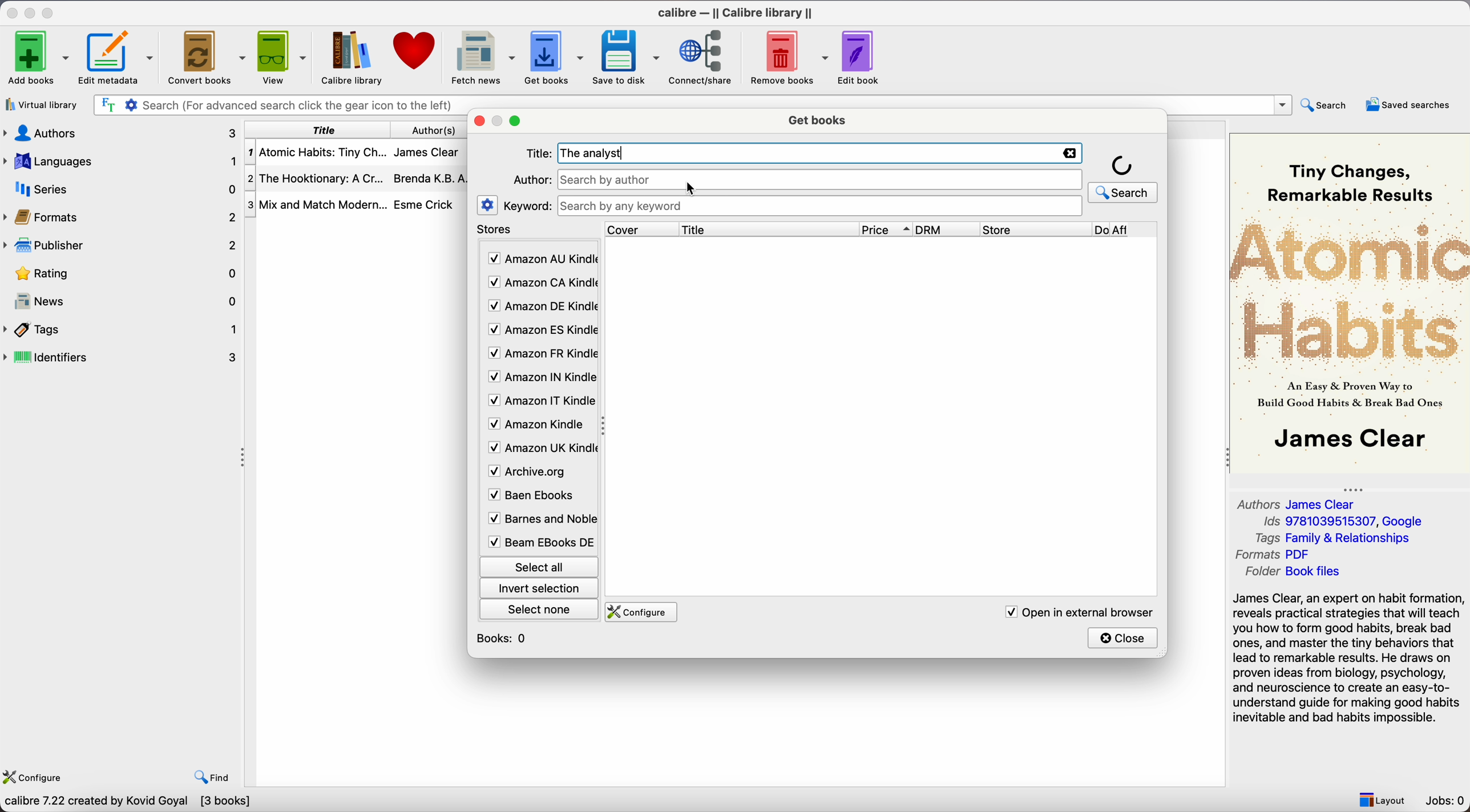 The image size is (1470, 812). What do you see at coordinates (1124, 637) in the screenshot?
I see `close` at bounding box center [1124, 637].